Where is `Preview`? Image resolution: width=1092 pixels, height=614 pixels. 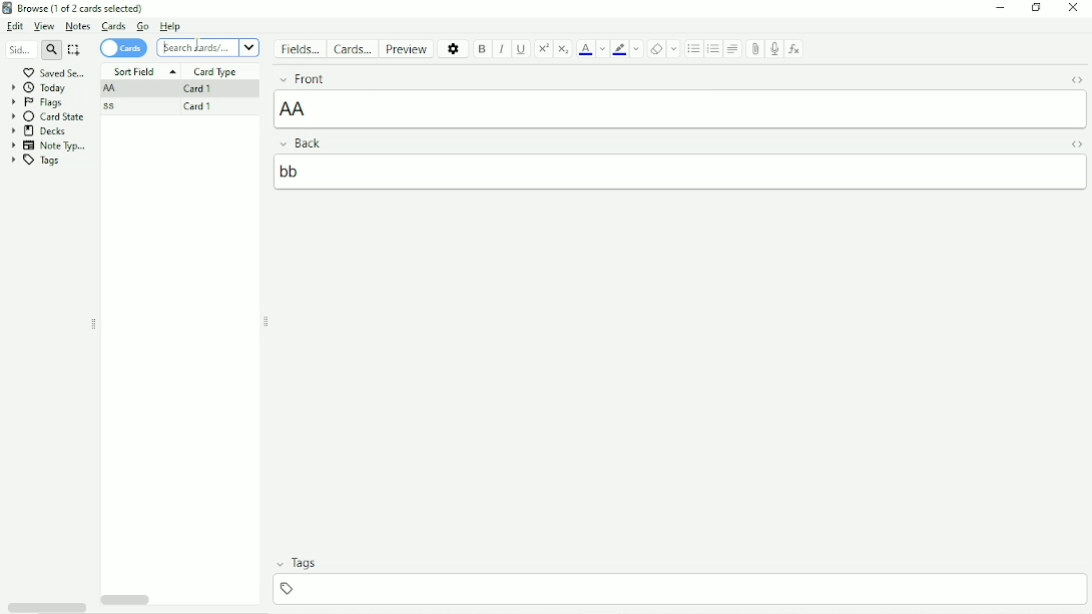
Preview is located at coordinates (411, 49).